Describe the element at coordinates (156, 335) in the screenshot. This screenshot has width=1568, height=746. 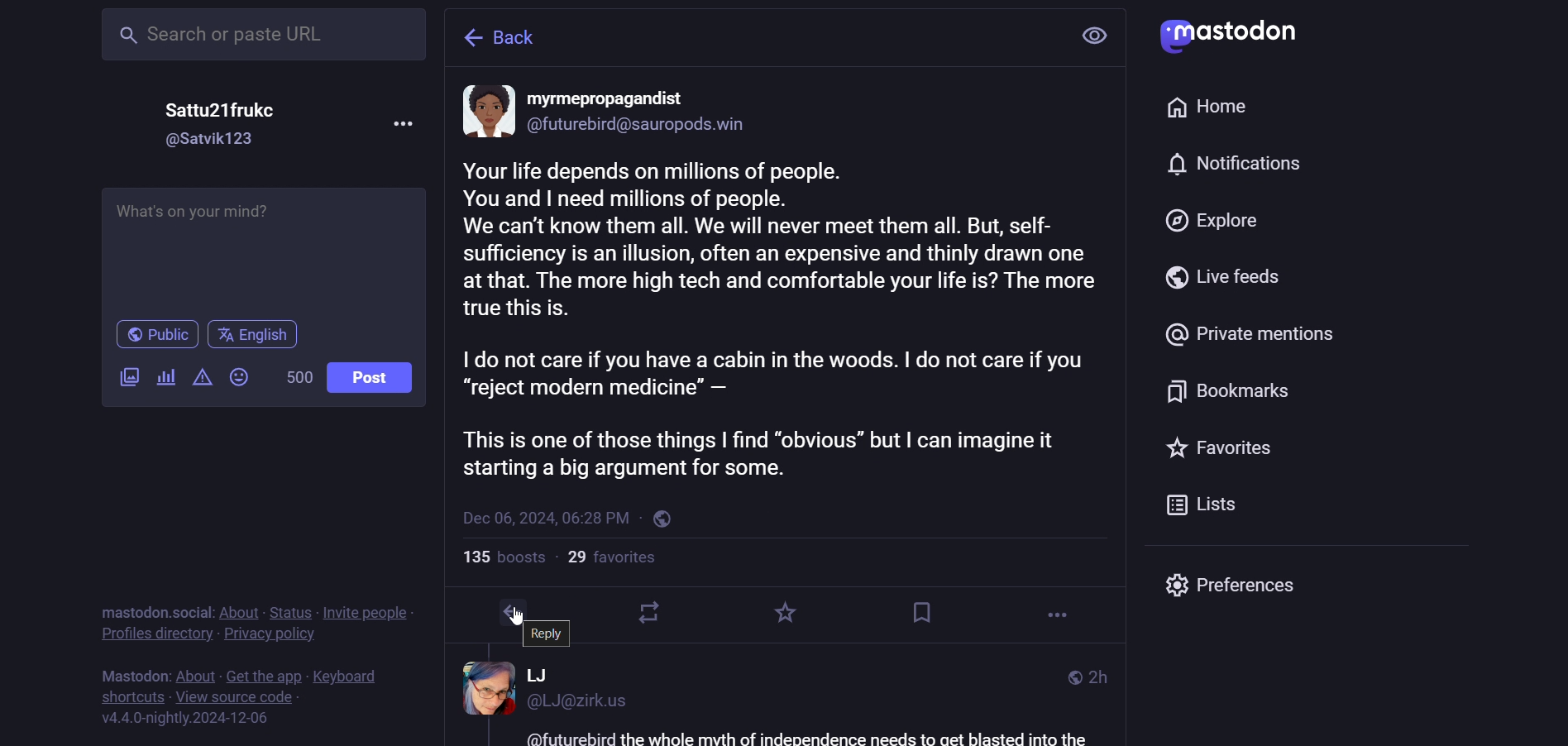
I see `public` at that location.